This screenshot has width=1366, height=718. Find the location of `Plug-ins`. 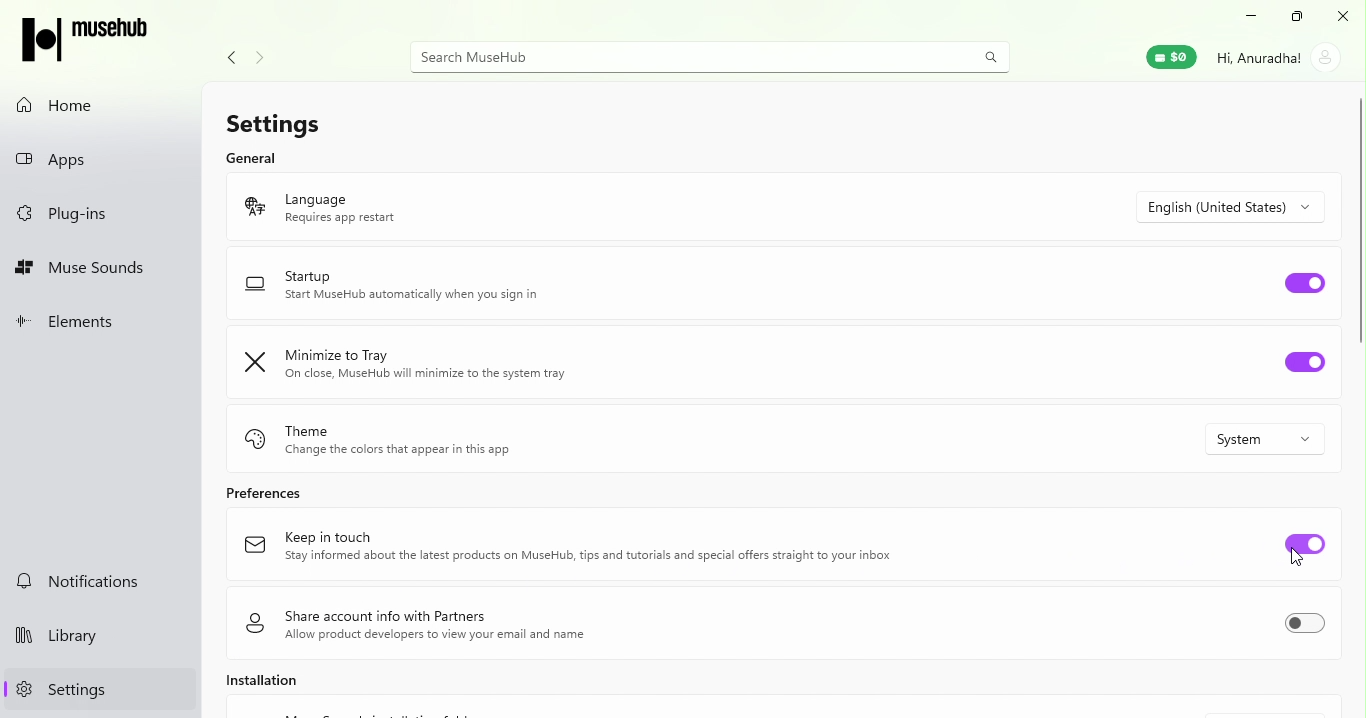

Plug-ins is located at coordinates (103, 213).